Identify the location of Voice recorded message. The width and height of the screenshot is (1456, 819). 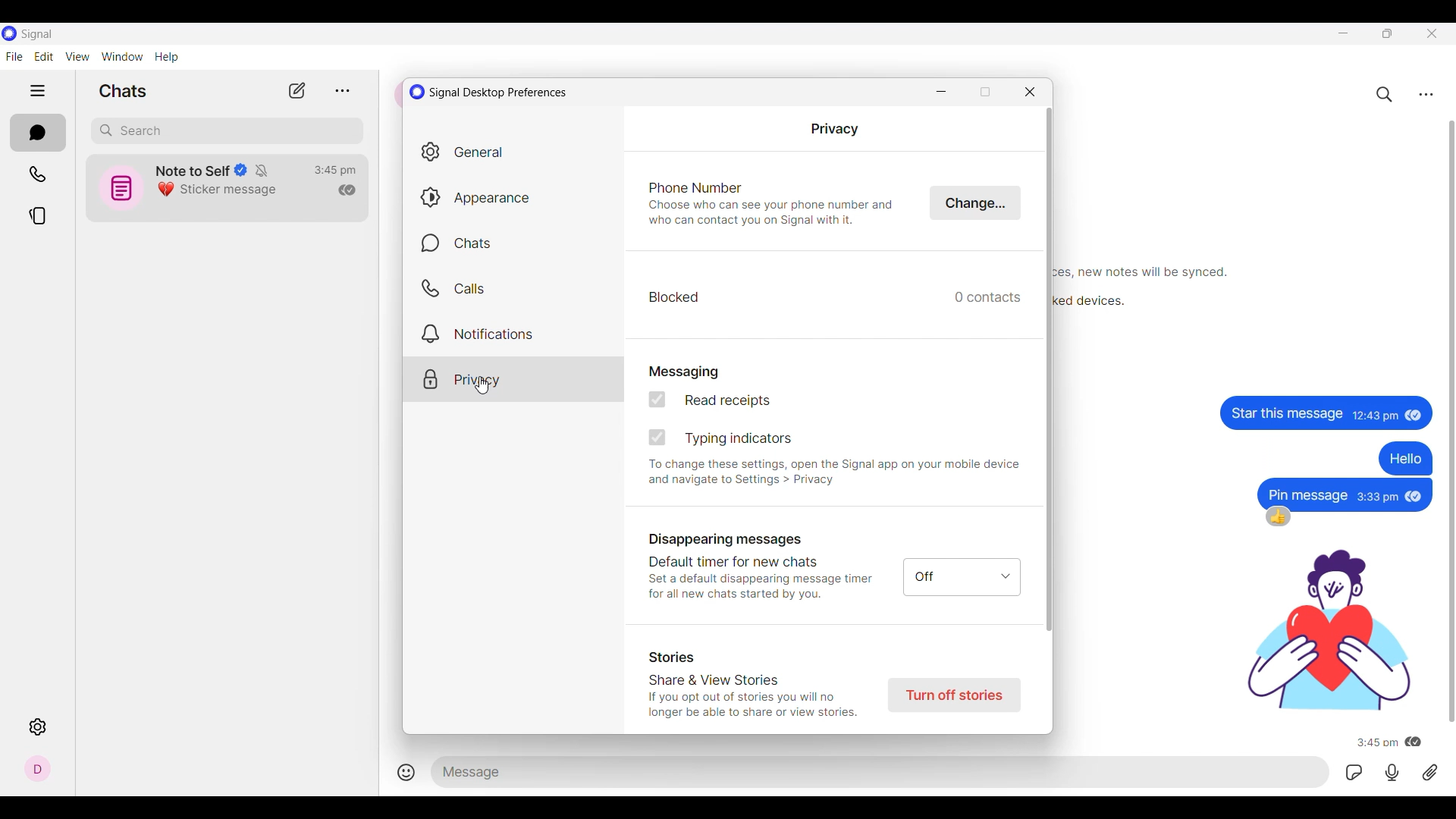
(1392, 773).